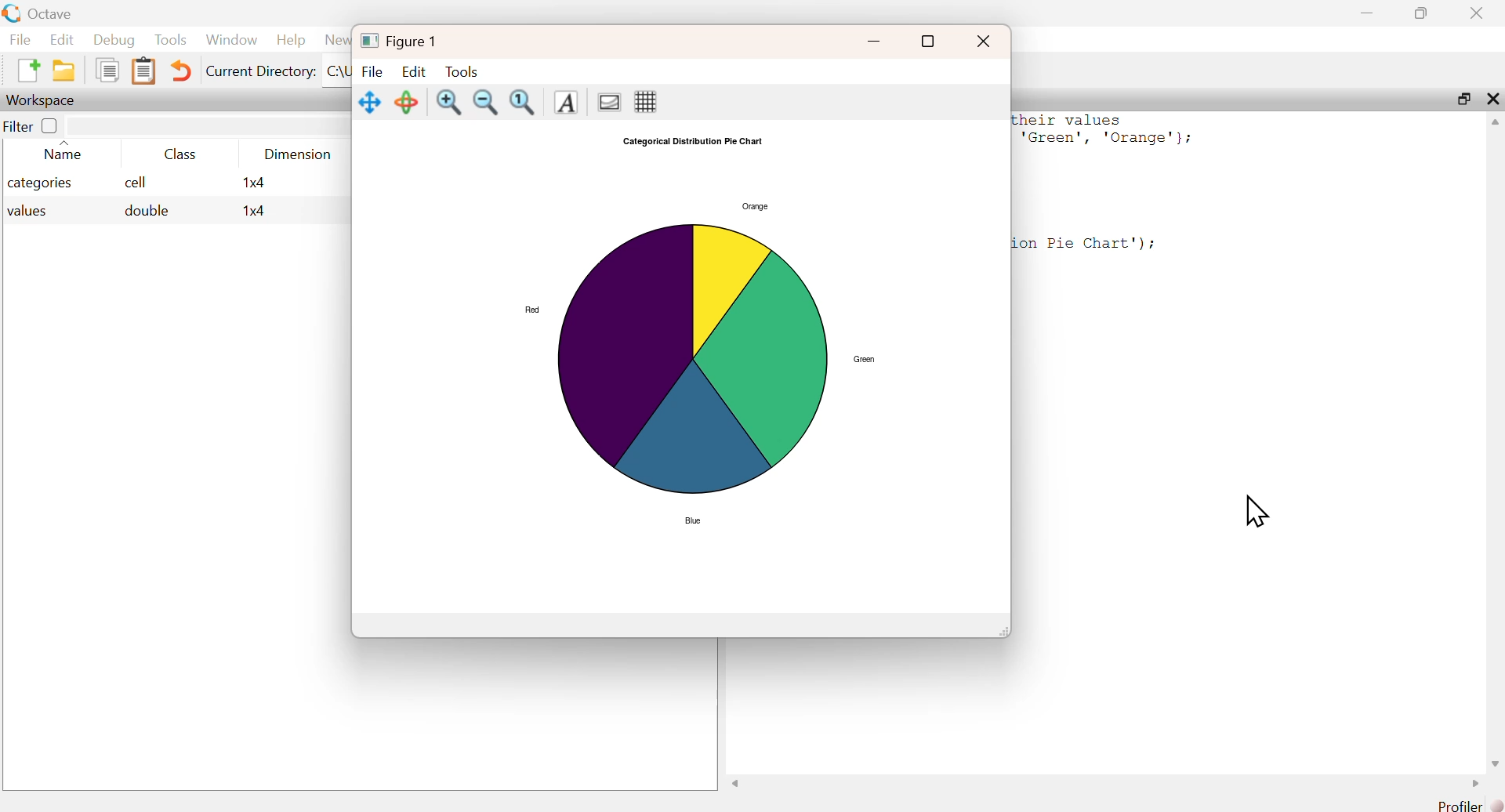 Image resolution: width=1505 pixels, height=812 pixels. Describe the element at coordinates (1465, 804) in the screenshot. I see `Profiler` at that location.